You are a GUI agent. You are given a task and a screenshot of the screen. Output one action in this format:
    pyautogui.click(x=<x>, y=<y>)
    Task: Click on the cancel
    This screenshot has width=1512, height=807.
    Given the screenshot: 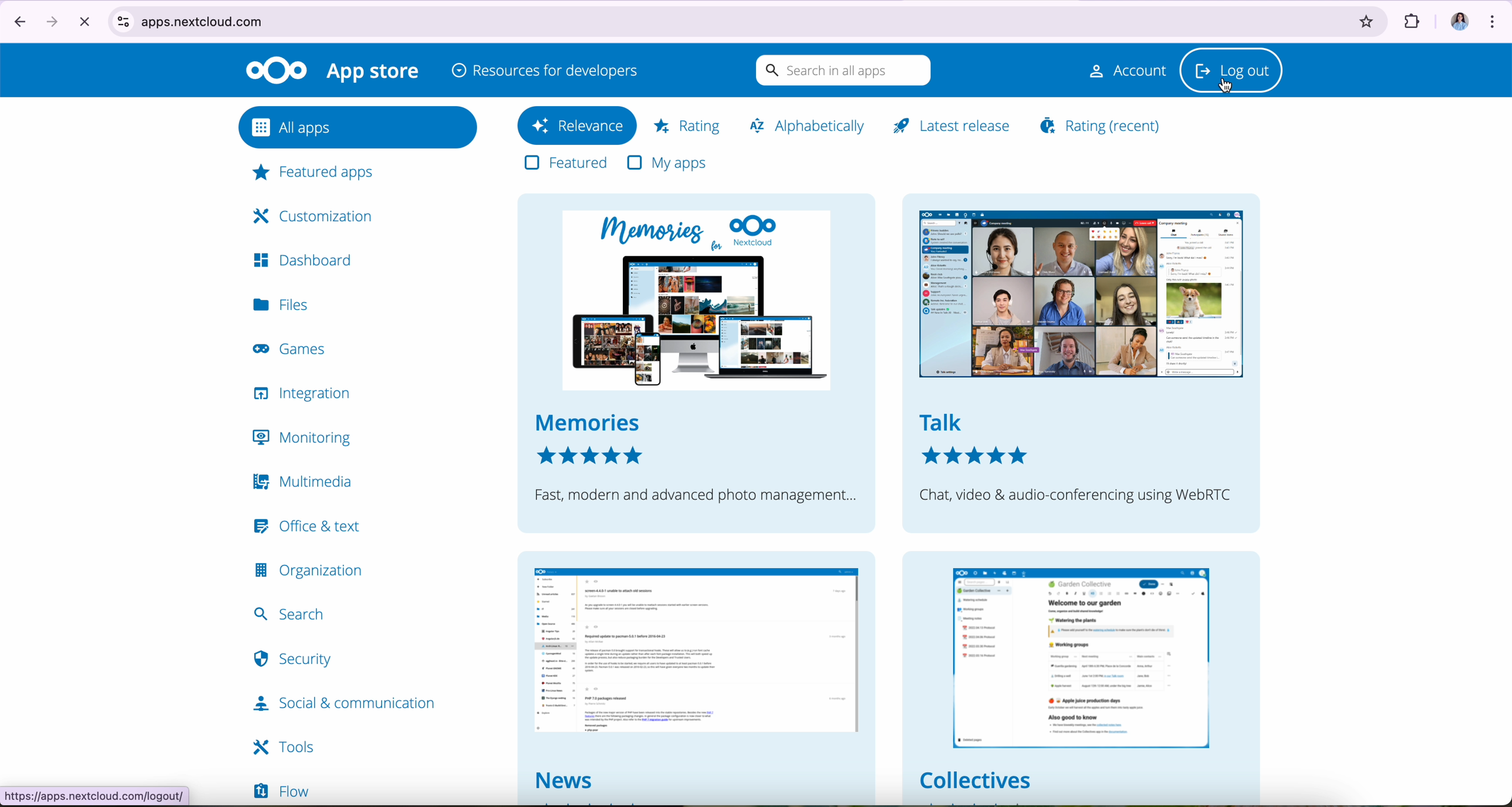 What is the action you would take?
    pyautogui.click(x=86, y=22)
    